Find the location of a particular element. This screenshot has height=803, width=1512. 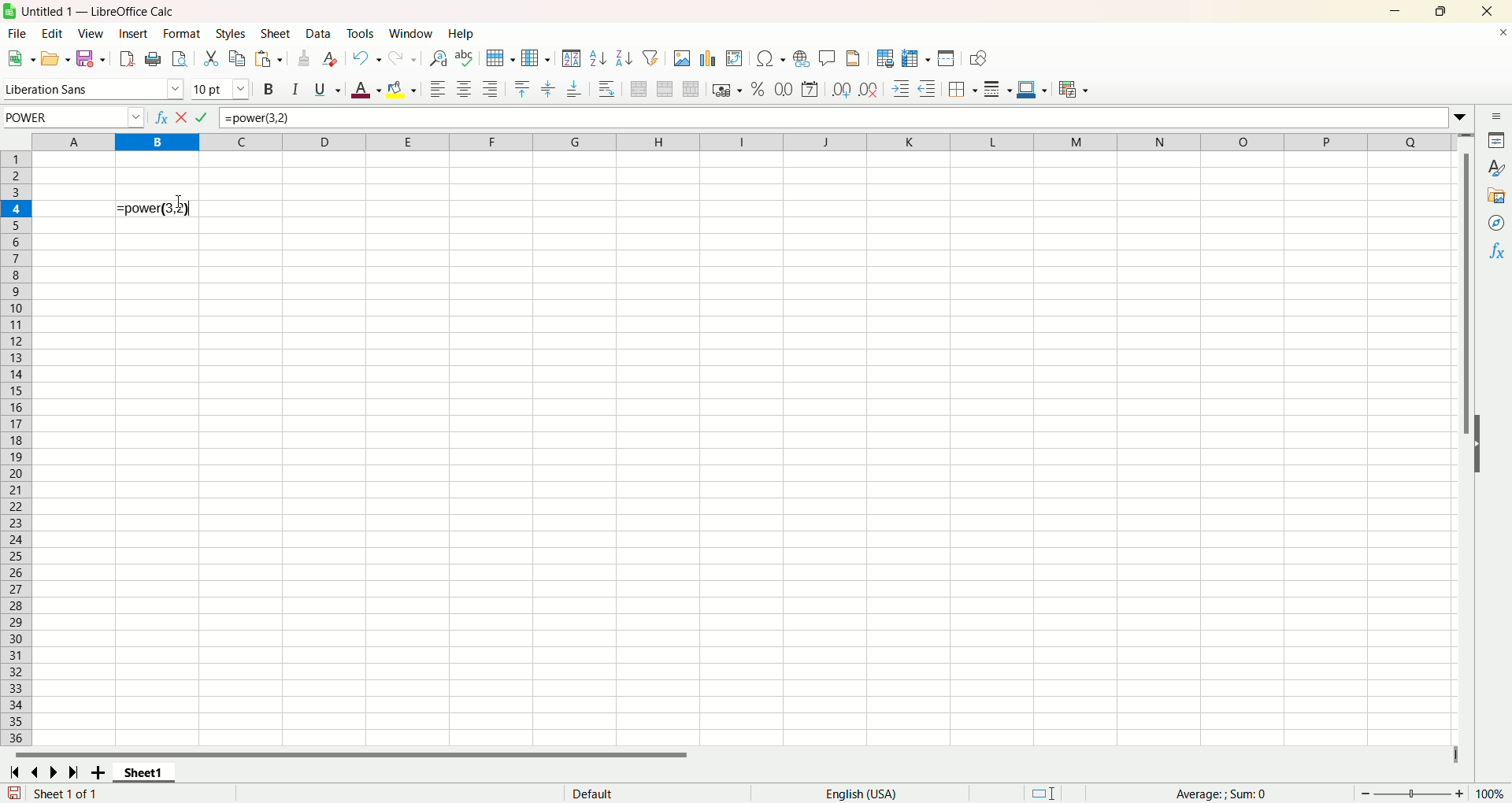

styles is located at coordinates (233, 33).